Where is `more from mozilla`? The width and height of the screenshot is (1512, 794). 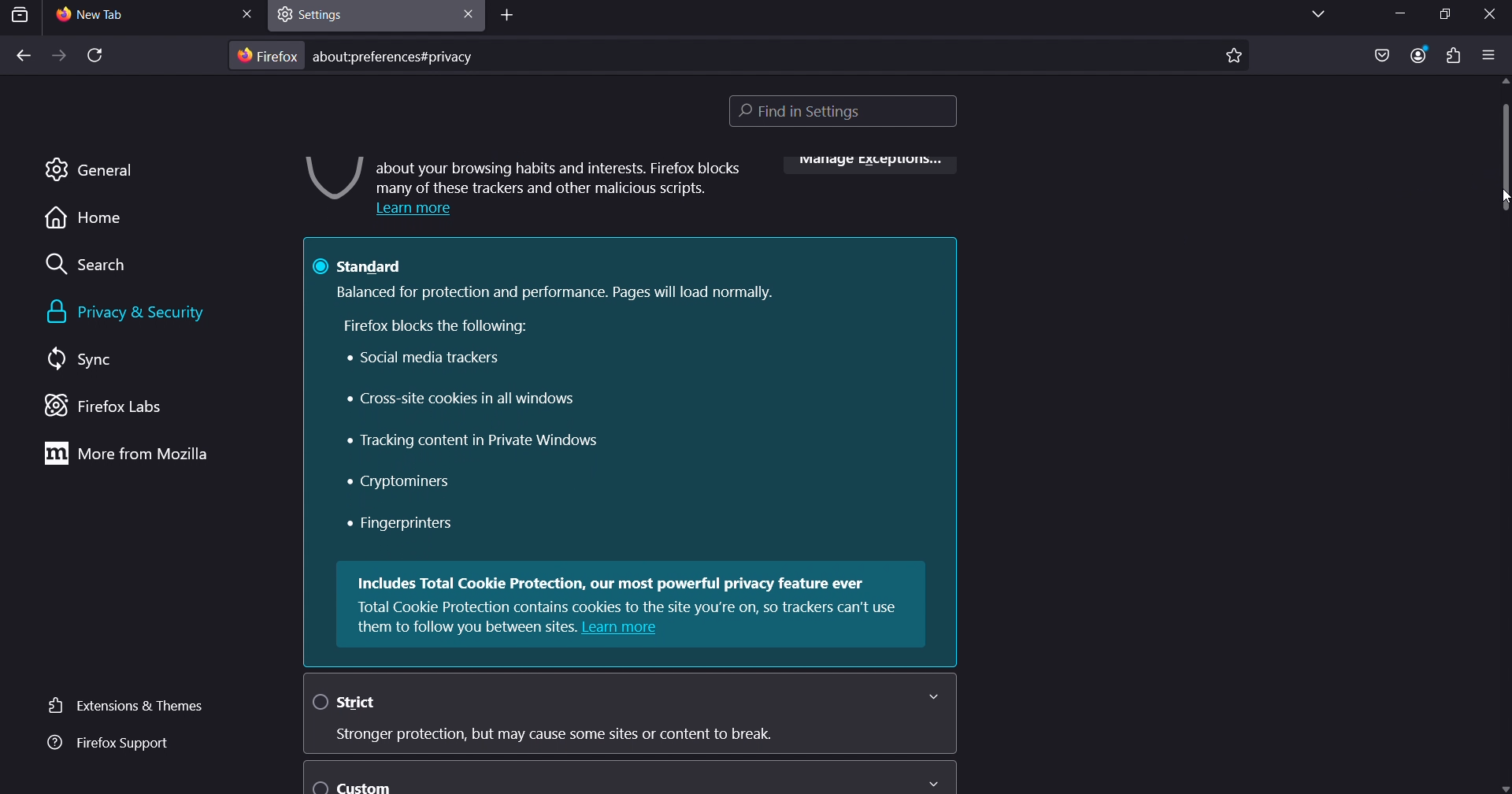 more from mozilla is located at coordinates (131, 455).